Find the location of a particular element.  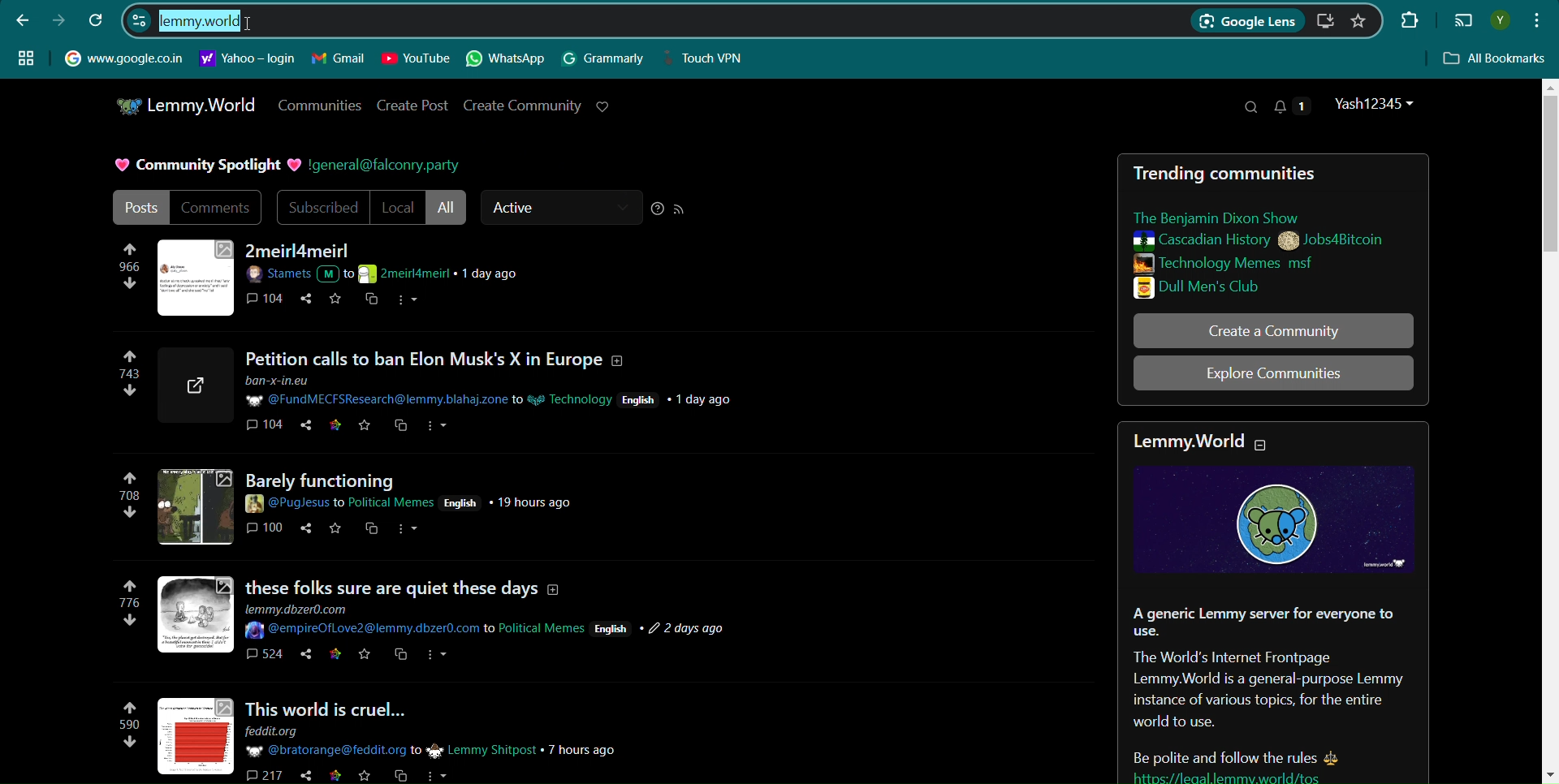

743 is located at coordinates (123, 381).